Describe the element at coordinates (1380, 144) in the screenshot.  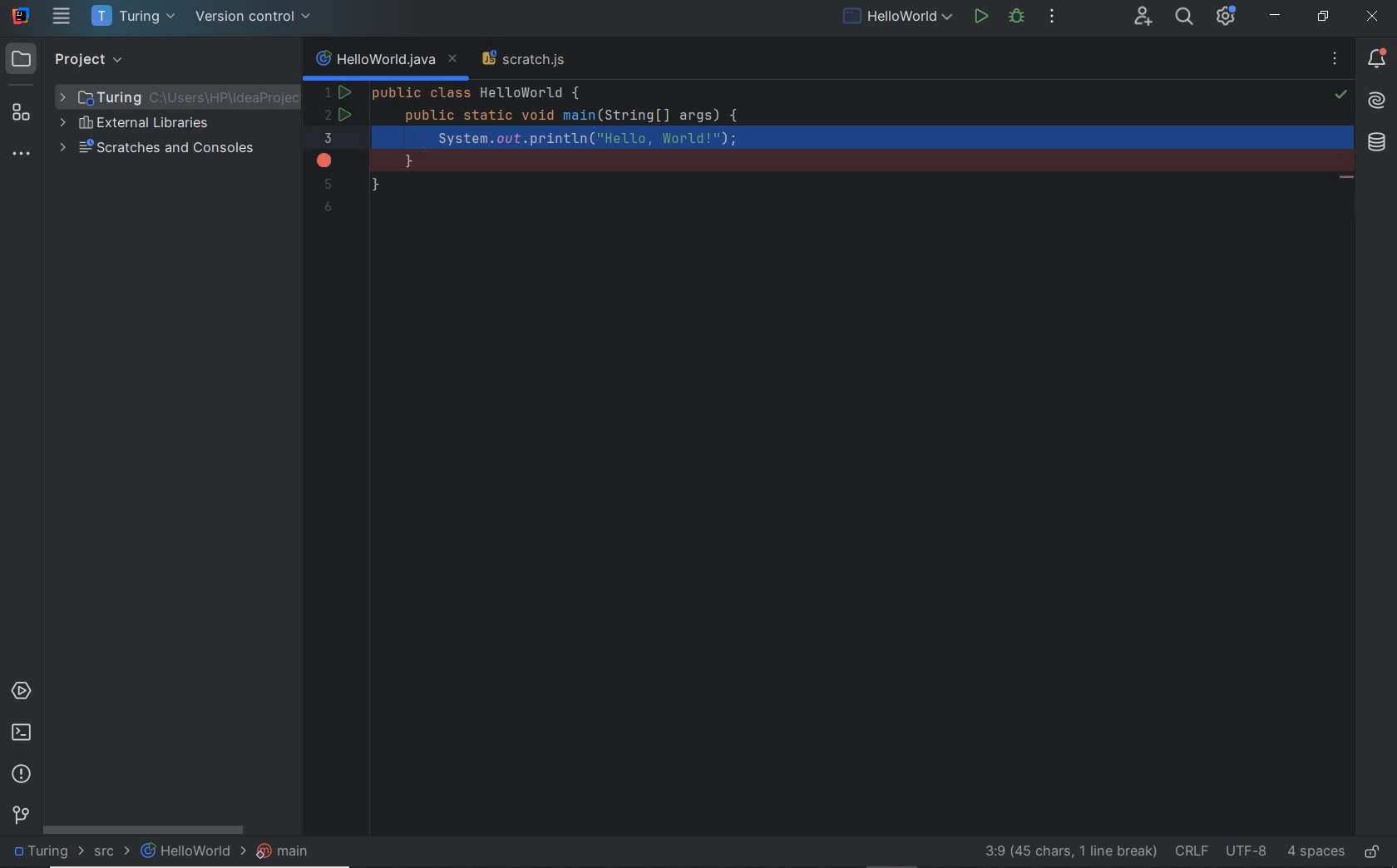
I see `database` at that location.